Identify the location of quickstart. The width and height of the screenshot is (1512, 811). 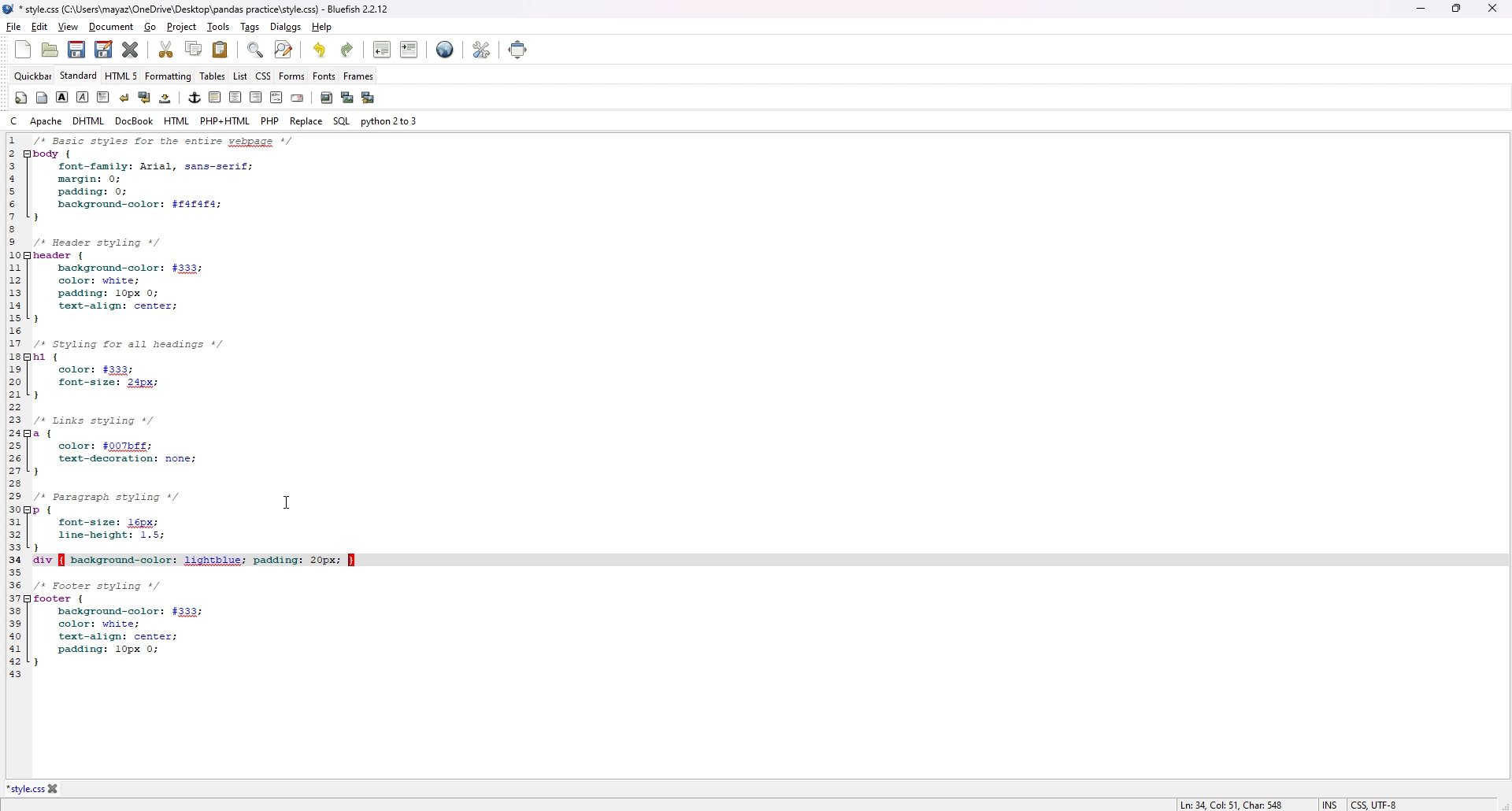
(21, 98).